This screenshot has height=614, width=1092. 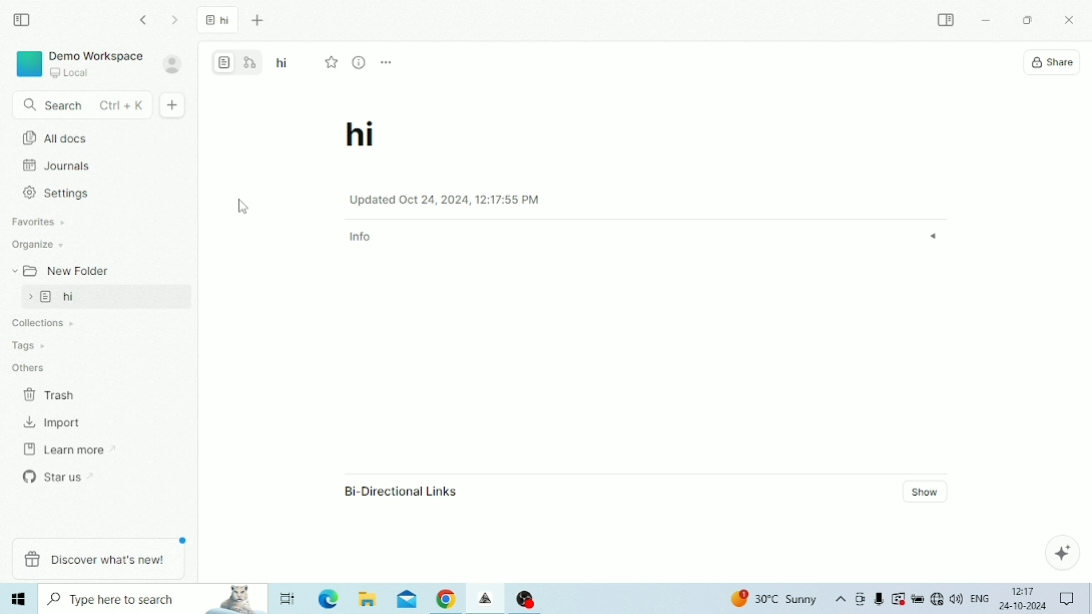 What do you see at coordinates (81, 106) in the screenshot?
I see `Search` at bounding box center [81, 106].